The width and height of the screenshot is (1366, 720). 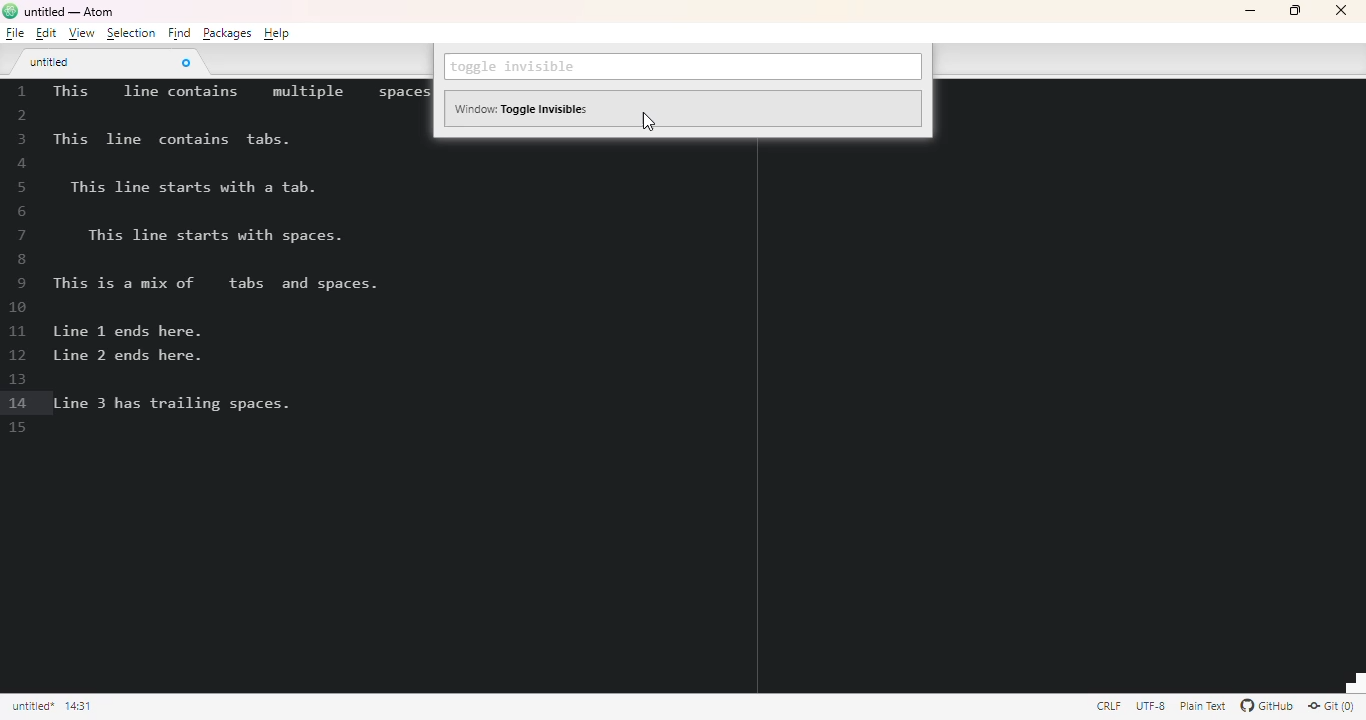 I want to click on file uses CRLF file endings, so click(x=1109, y=705).